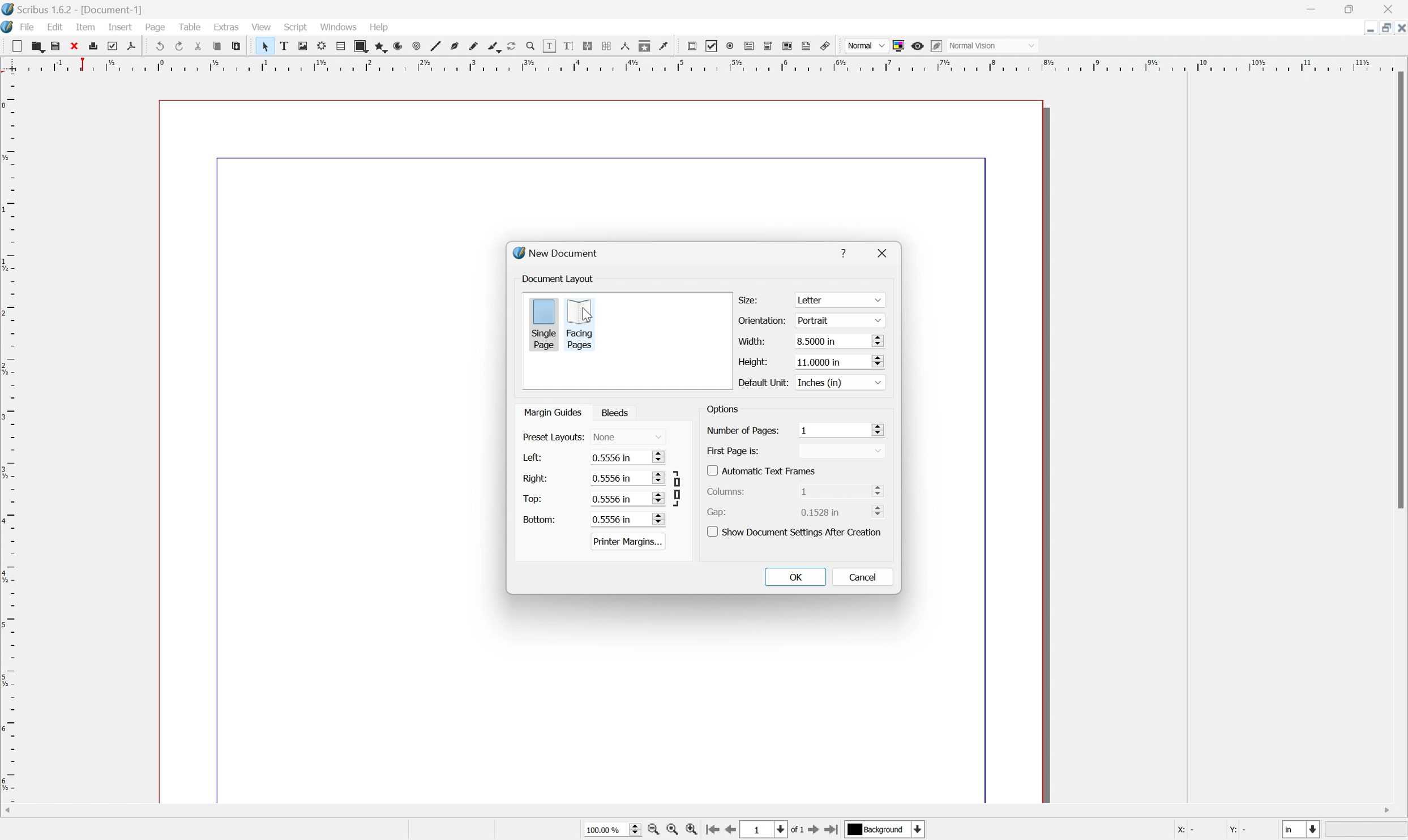  I want to click on pdf combo box, so click(769, 45).